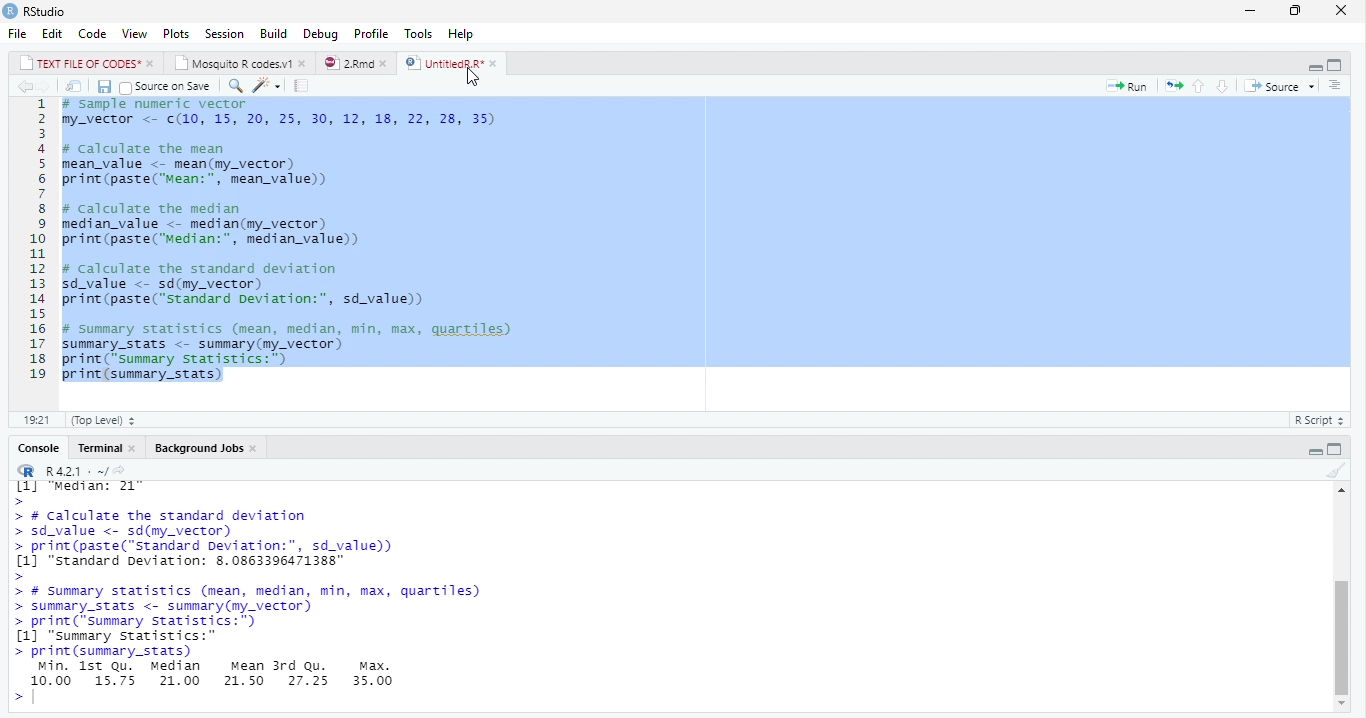 This screenshot has height=718, width=1366. Describe the element at coordinates (76, 87) in the screenshot. I see `show in new window` at that location.